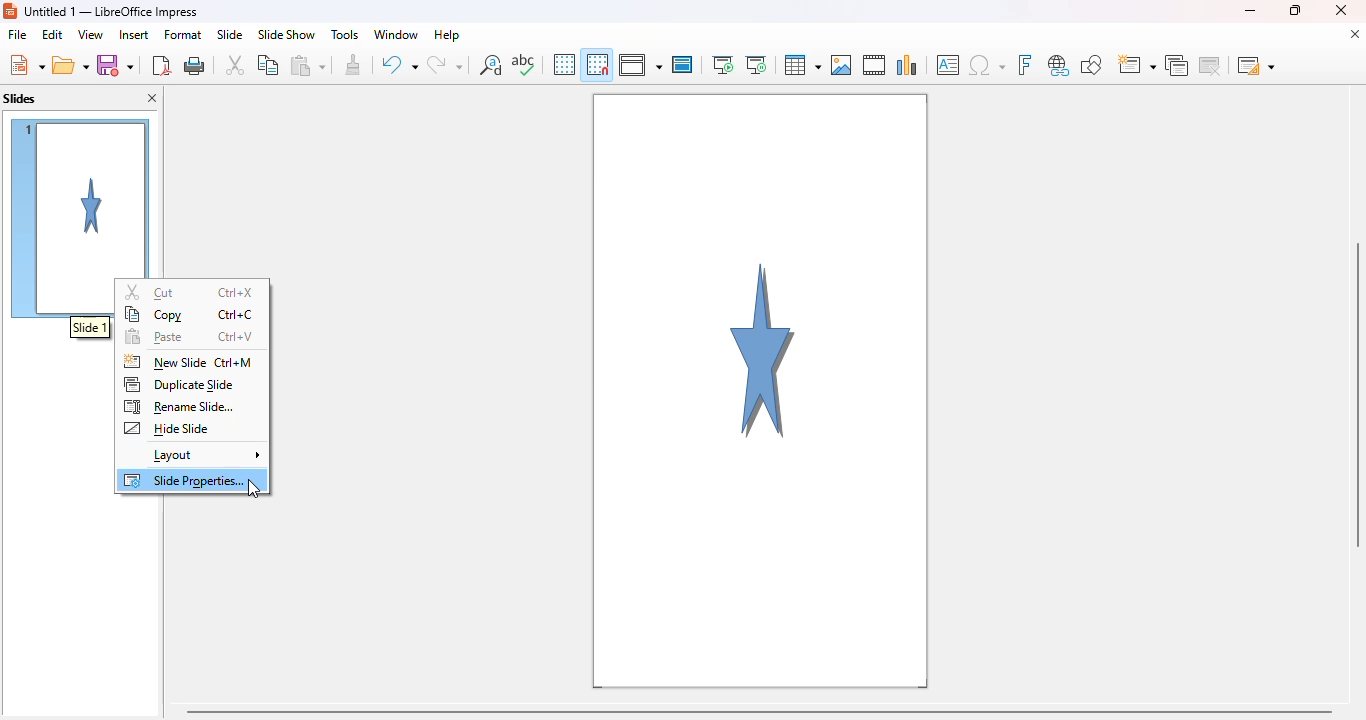 The image size is (1366, 720). I want to click on master slide, so click(684, 64).